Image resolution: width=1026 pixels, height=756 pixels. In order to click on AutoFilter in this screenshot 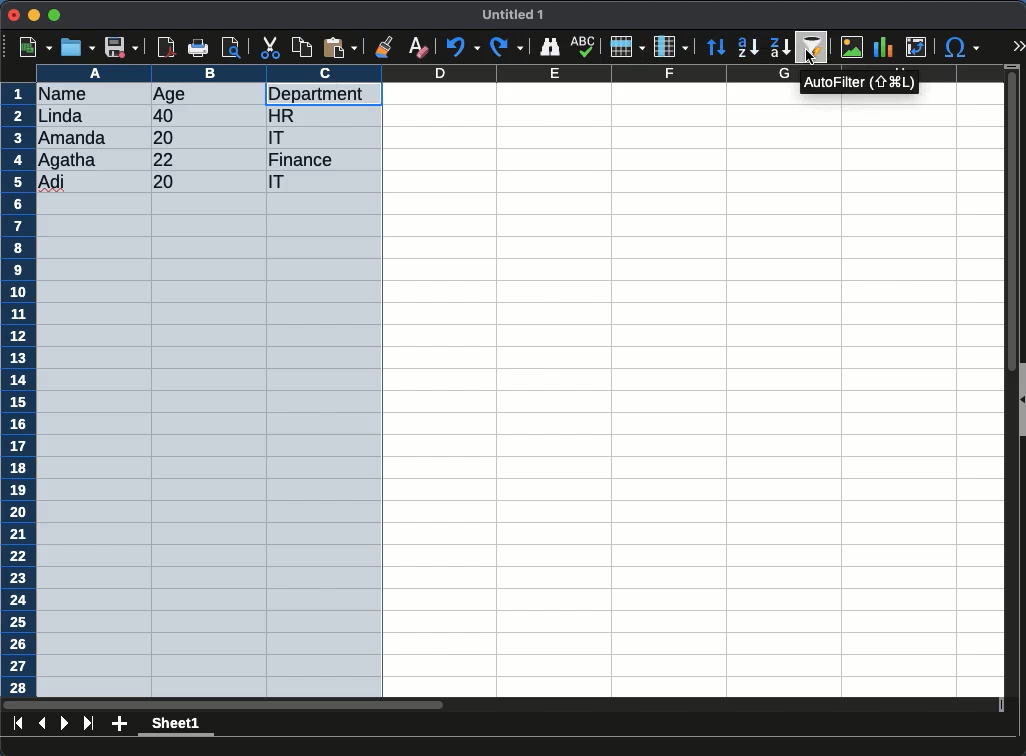, I will do `click(859, 82)`.